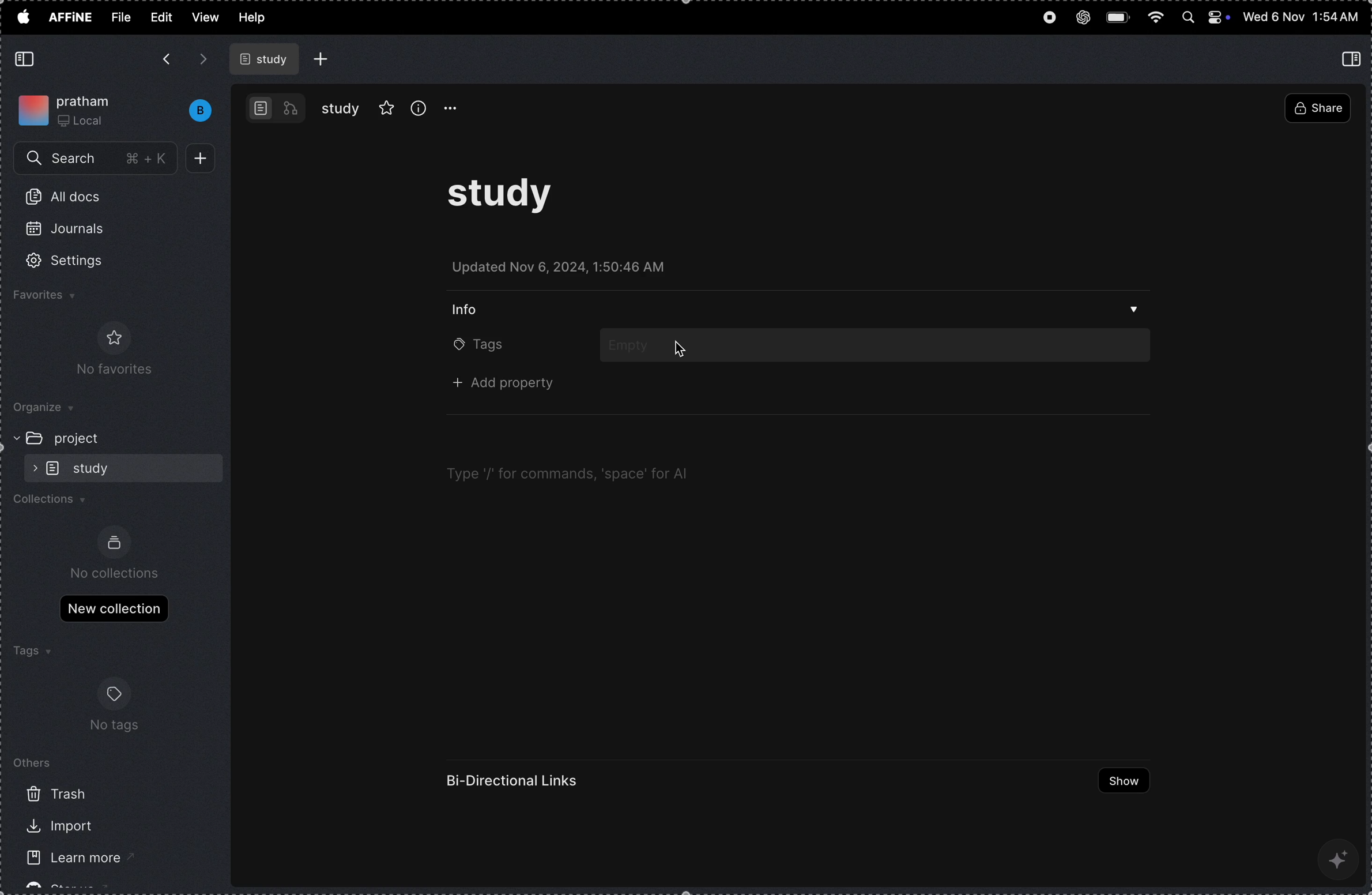 This screenshot has width=1372, height=895. I want to click on chat gpt, so click(1083, 14).